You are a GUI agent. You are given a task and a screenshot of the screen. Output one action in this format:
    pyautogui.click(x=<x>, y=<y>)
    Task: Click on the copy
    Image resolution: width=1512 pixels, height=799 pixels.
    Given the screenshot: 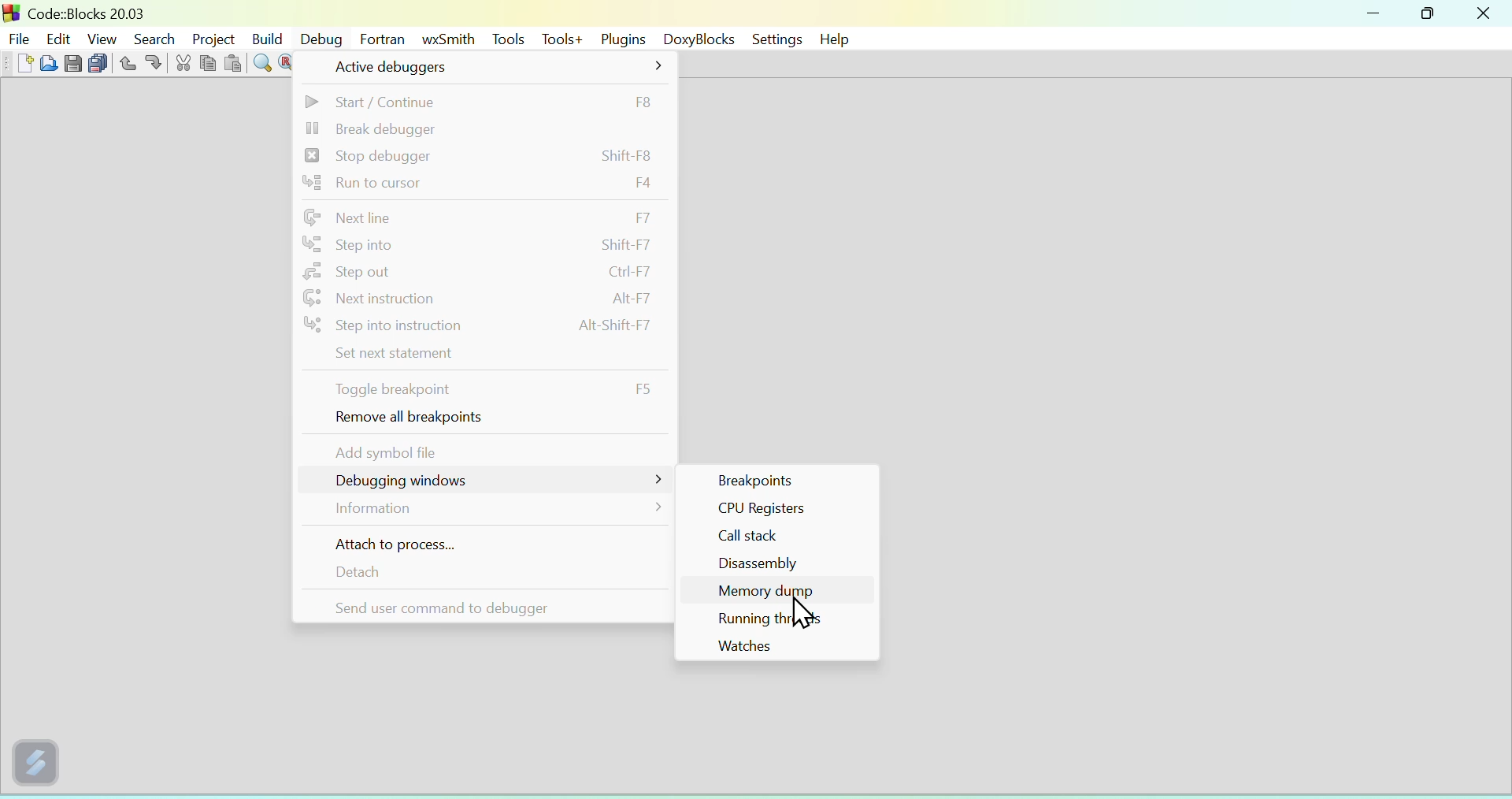 What is the action you would take?
    pyautogui.click(x=208, y=63)
    